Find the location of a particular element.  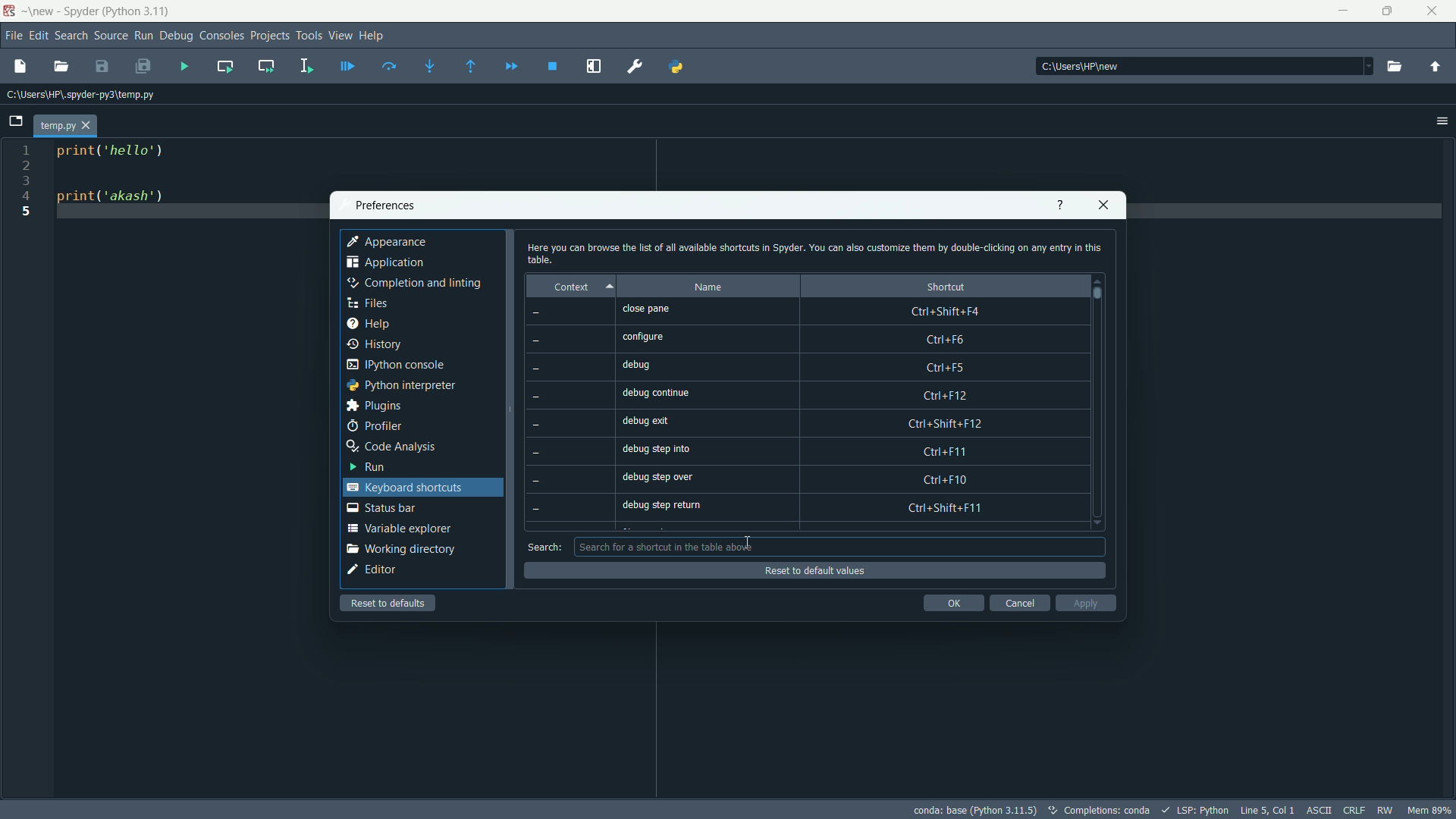

CRLF is located at coordinates (1353, 808).